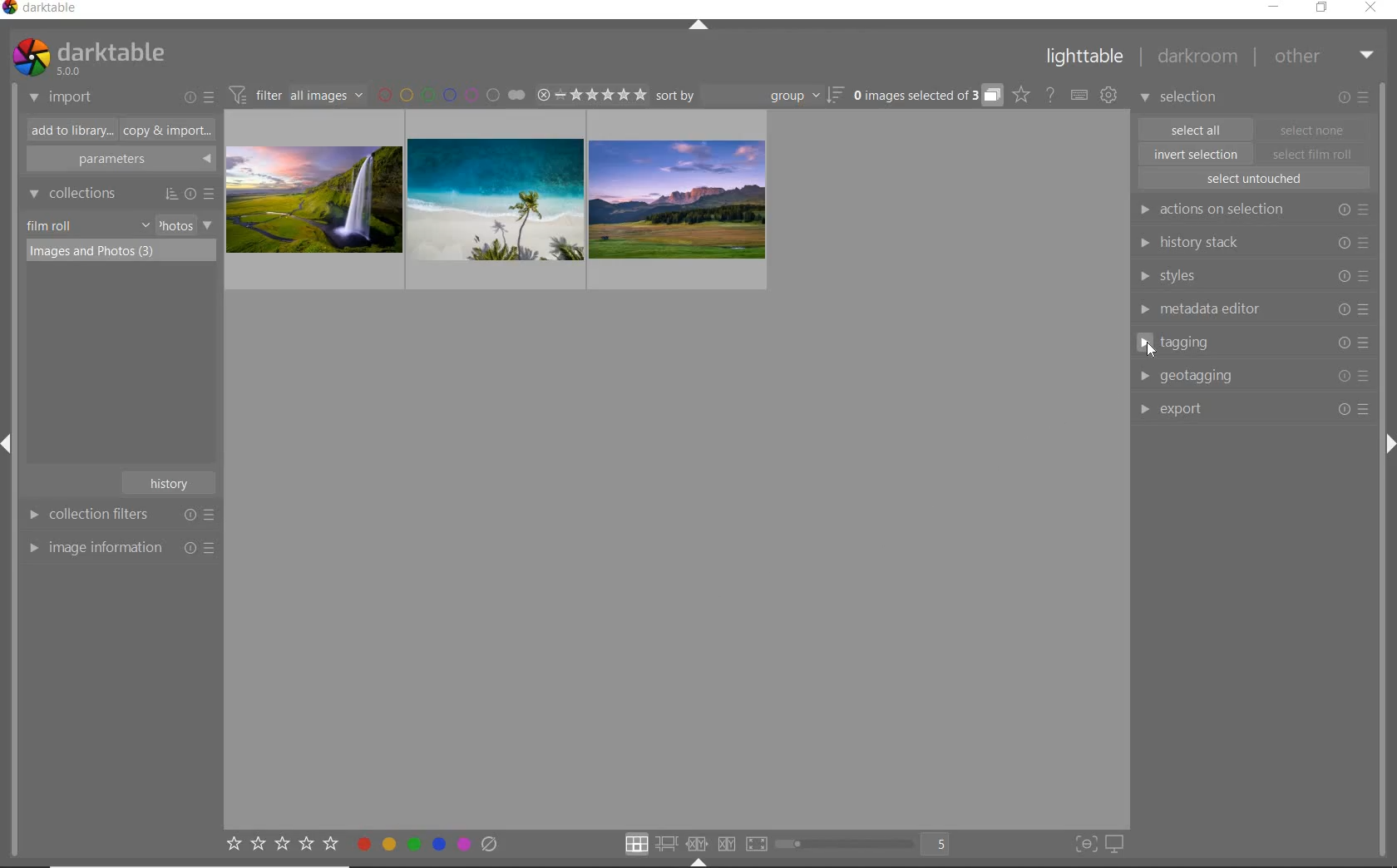  What do you see at coordinates (1022, 95) in the screenshot?
I see `click to change the type of overlay shown on thumbnails` at bounding box center [1022, 95].